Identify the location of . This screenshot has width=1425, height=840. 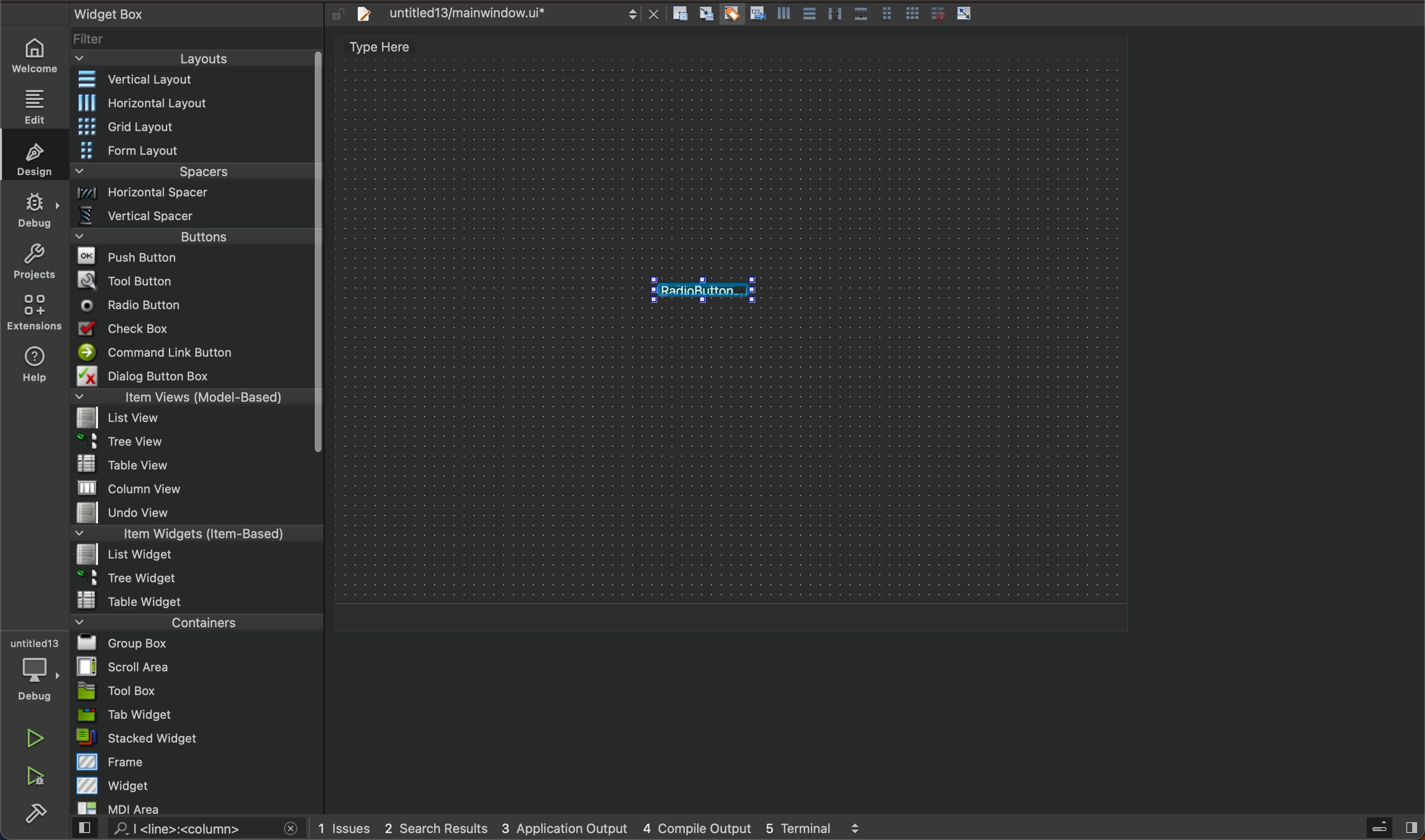
(886, 15).